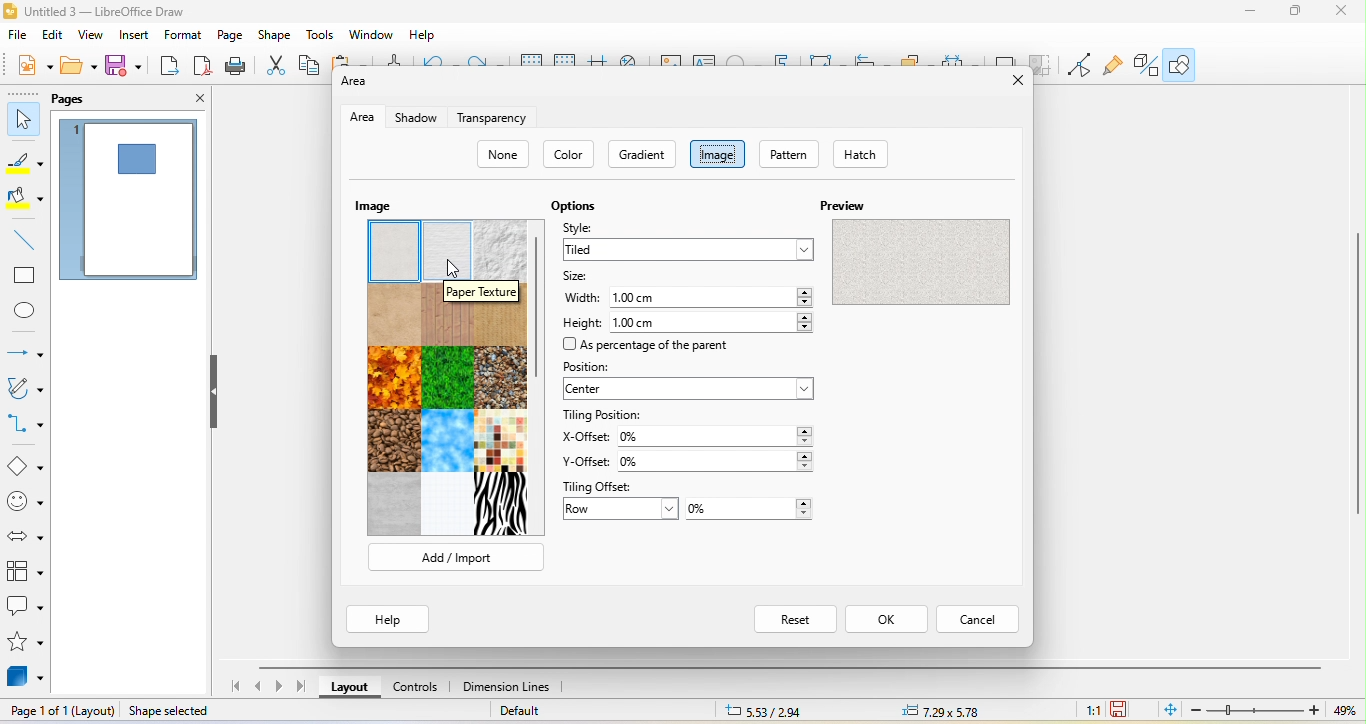 The image size is (1366, 724). What do you see at coordinates (25, 348) in the screenshot?
I see `lines and arrow` at bounding box center [25, 348].